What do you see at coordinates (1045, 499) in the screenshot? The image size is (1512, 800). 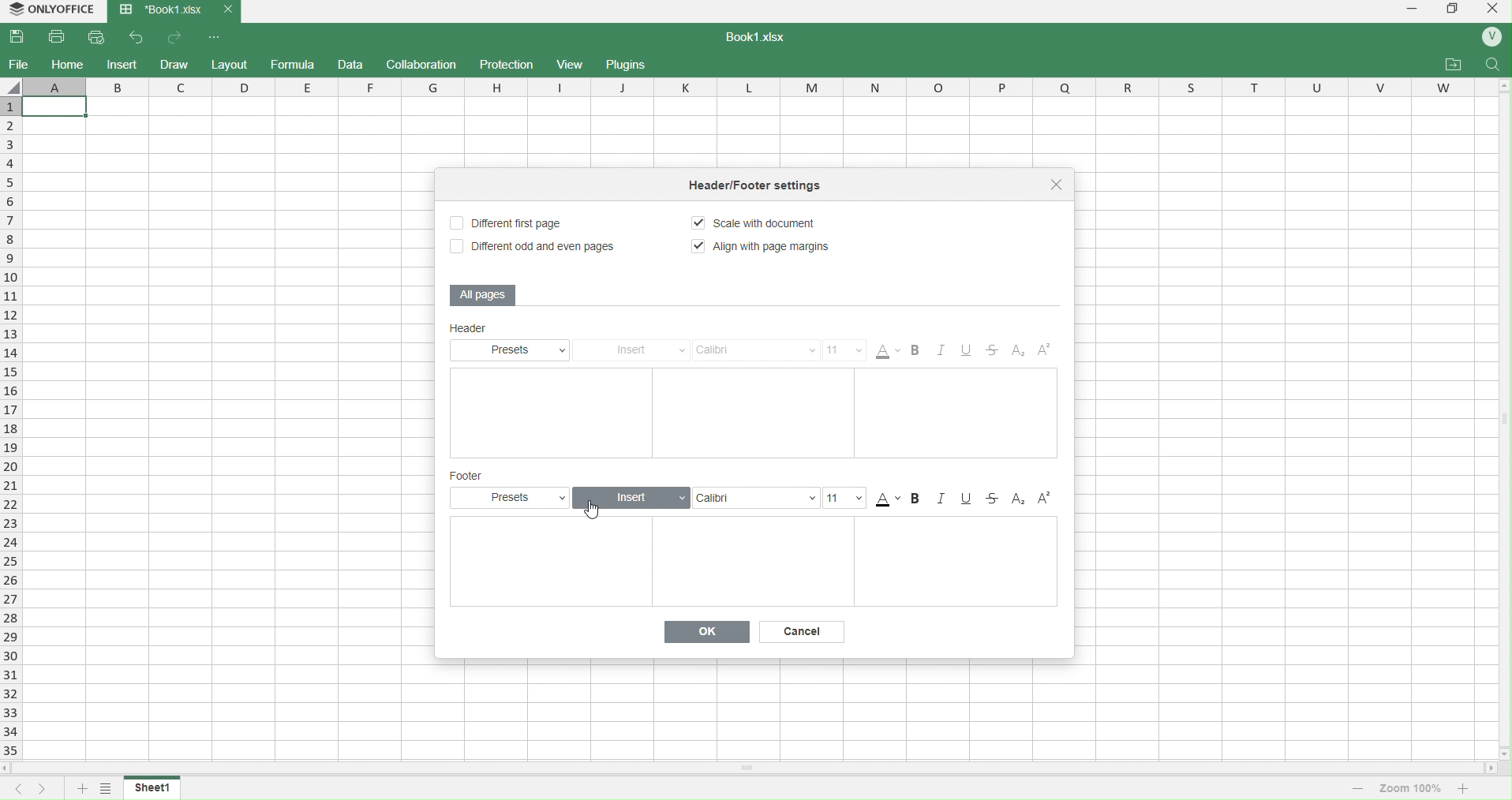 I see `Superscript` at bounding box center [1045, 499].